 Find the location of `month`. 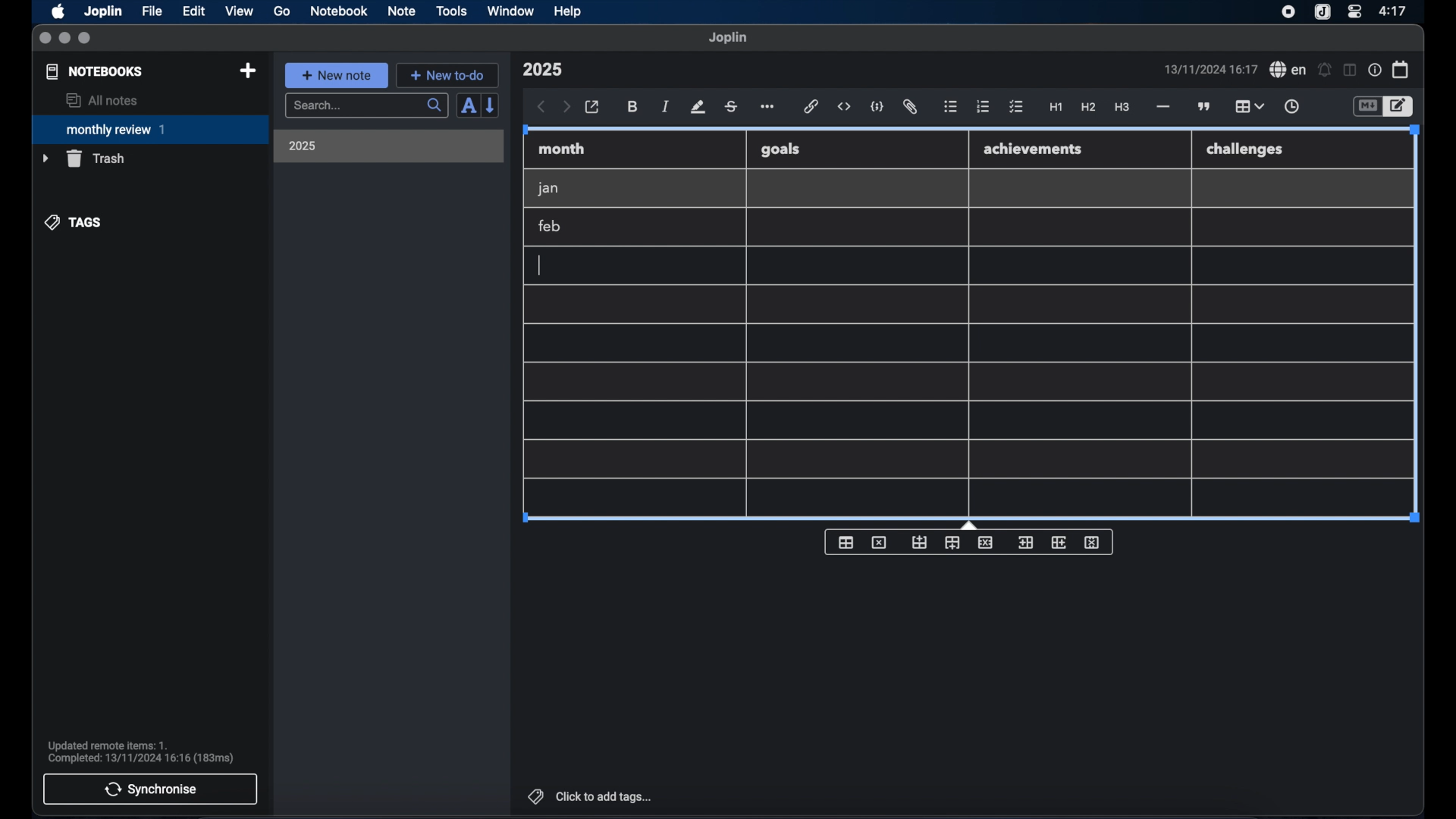

month is located at coordinates (562, 149).